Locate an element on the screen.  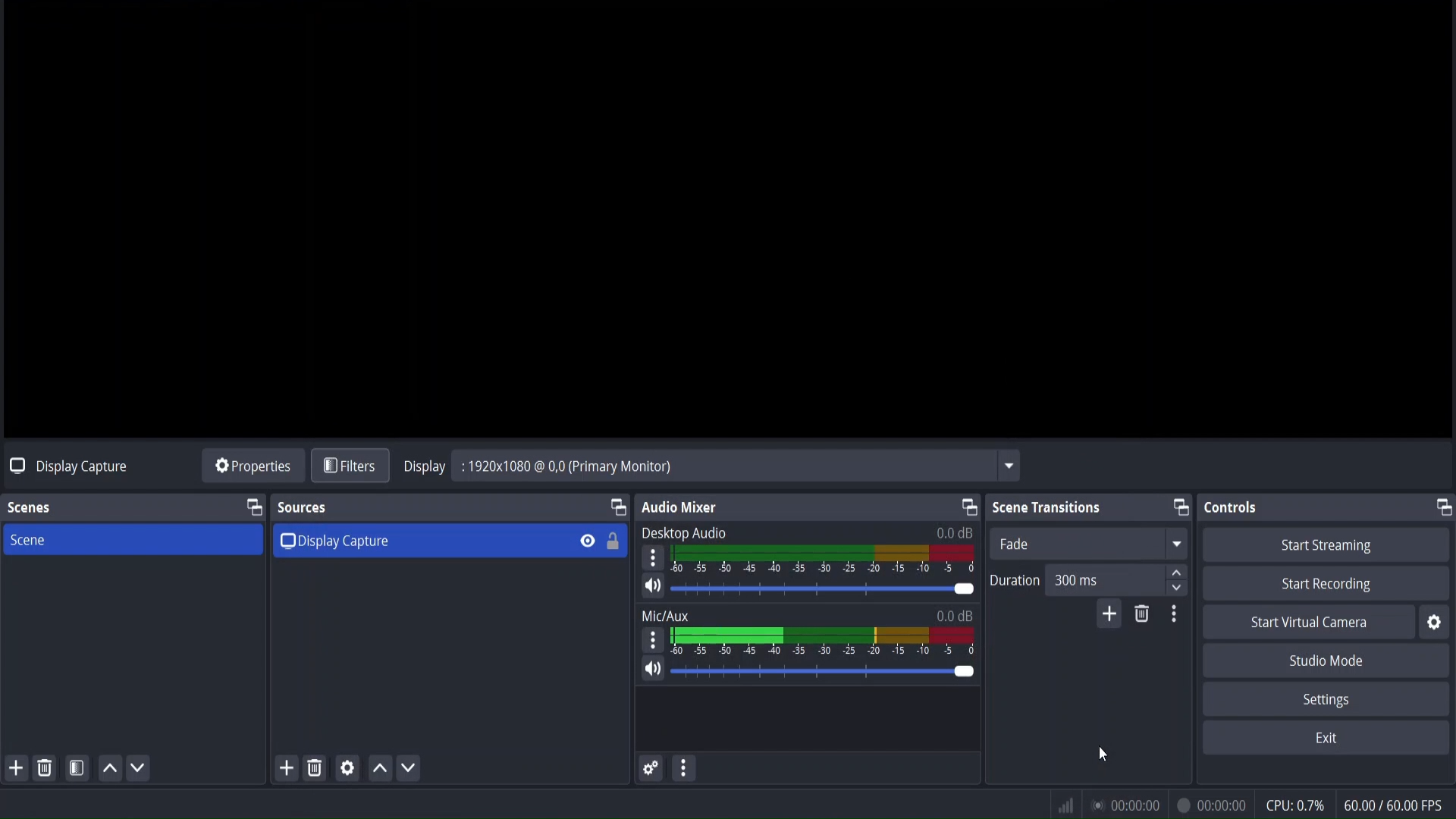
move source down is located at coordinates (409, 767).